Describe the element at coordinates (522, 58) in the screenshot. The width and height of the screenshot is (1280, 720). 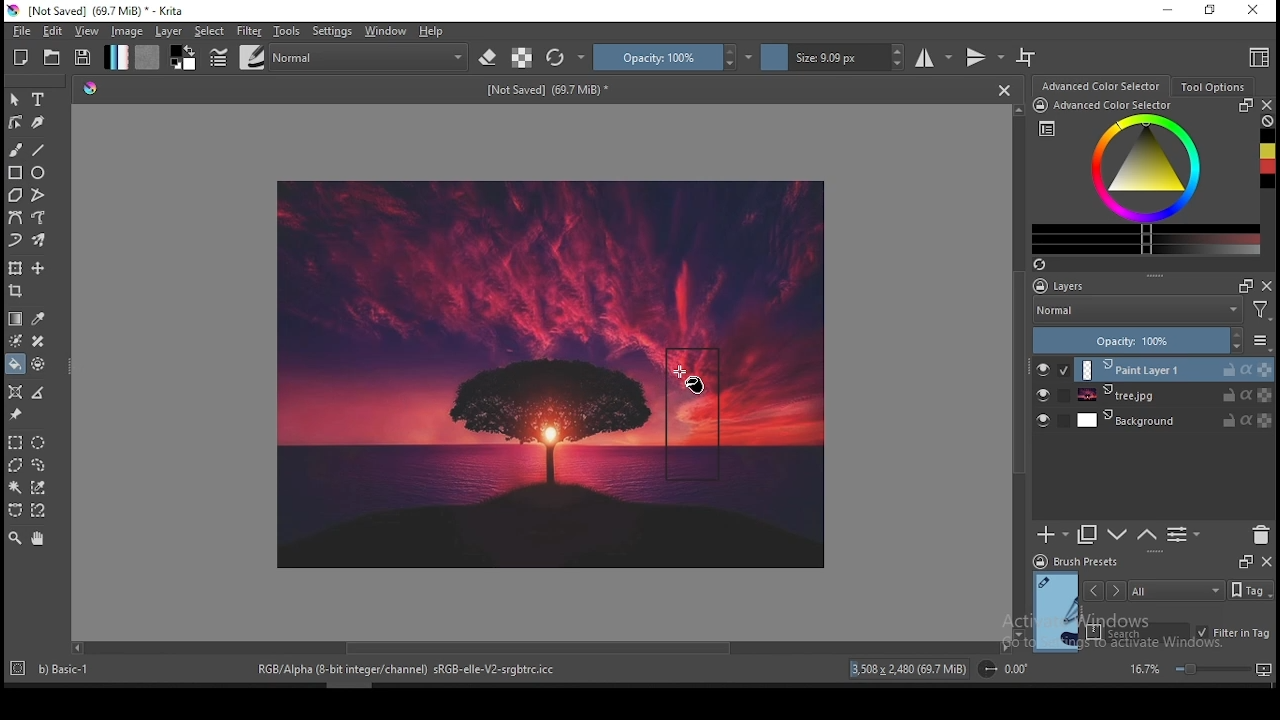
I see `preserve alpha` at that location.